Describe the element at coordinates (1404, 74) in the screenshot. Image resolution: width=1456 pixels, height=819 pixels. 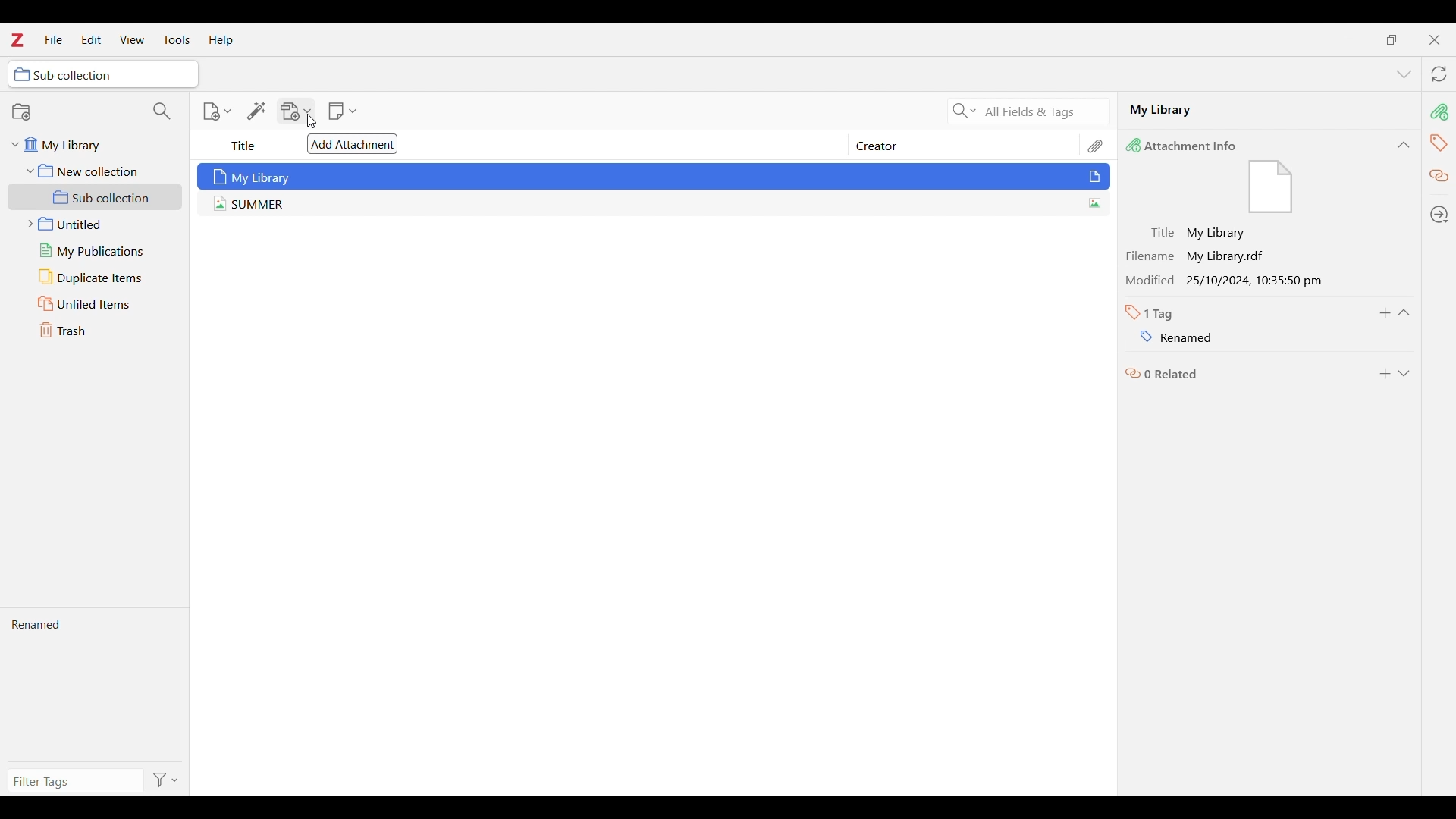
I see `List all tabs` at that location.